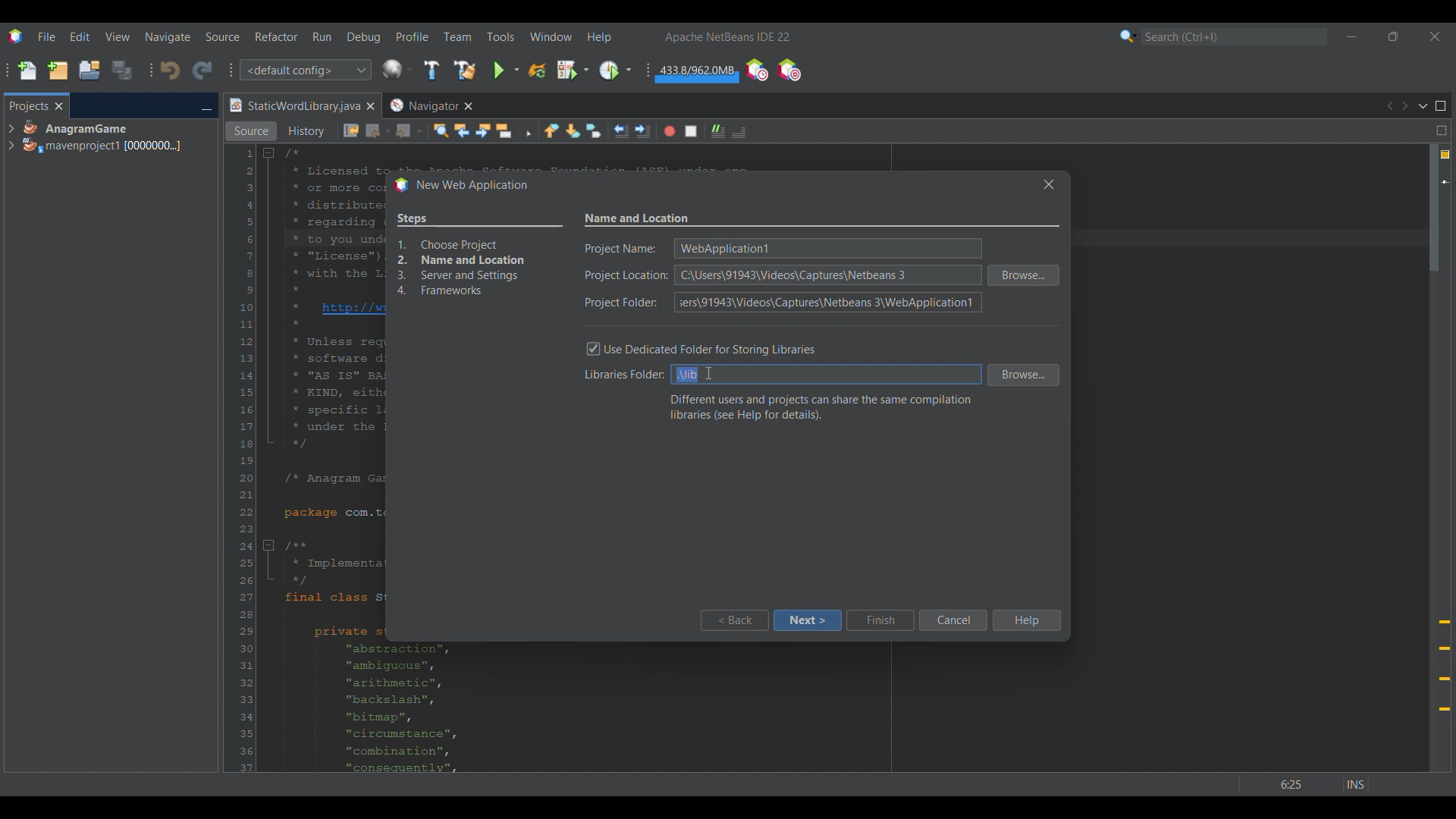 The width and height of the screenshot is (1456, 819). What do you see at coordinates (223, 36) in the screenshot?
I see `Source menu` at bounding box center [223, 36].